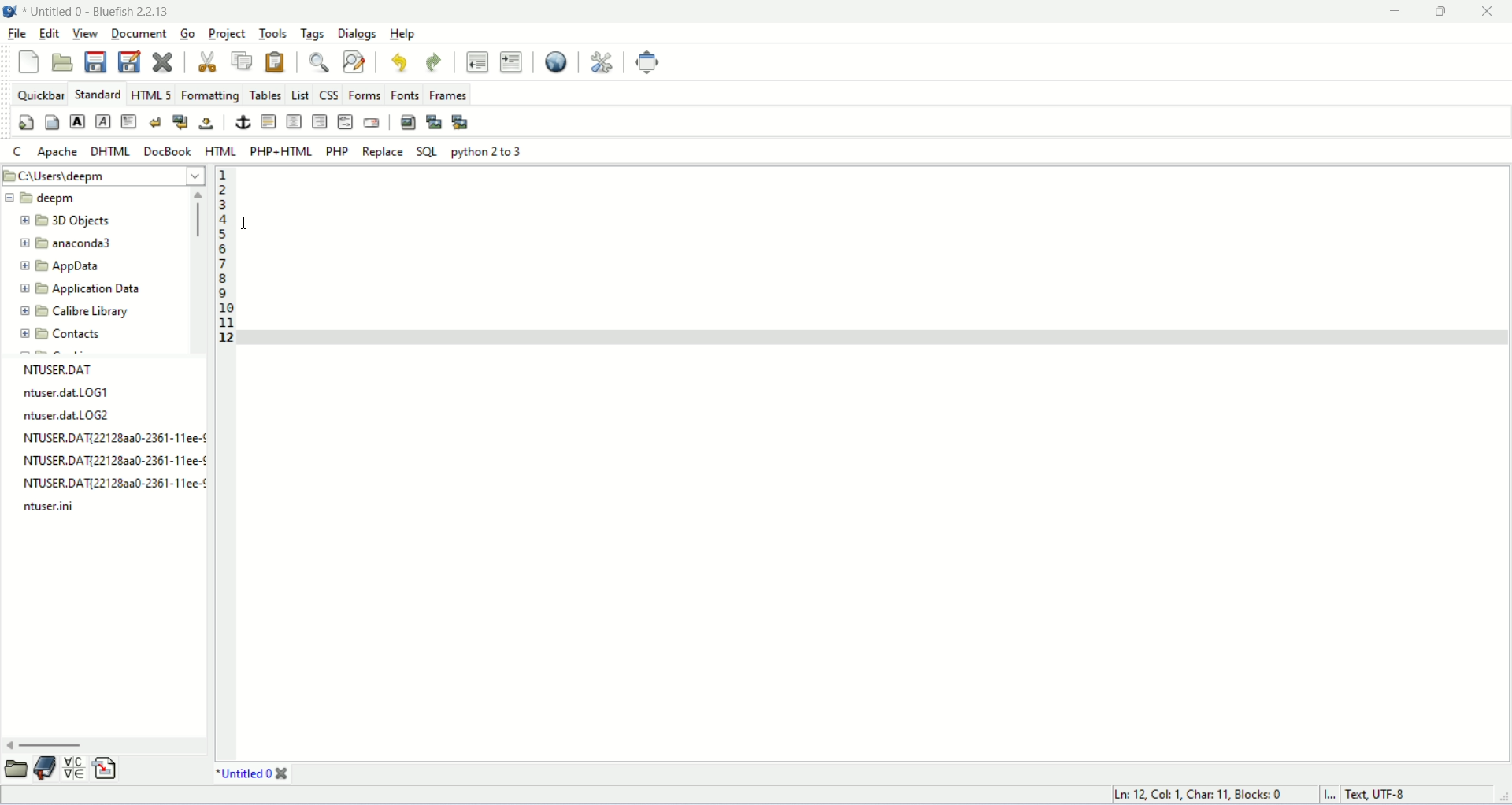 This screenshot has height=805, width=1512. Describe the element at coordinates (61, 61) in the screenshot. I see `open file` at that location.